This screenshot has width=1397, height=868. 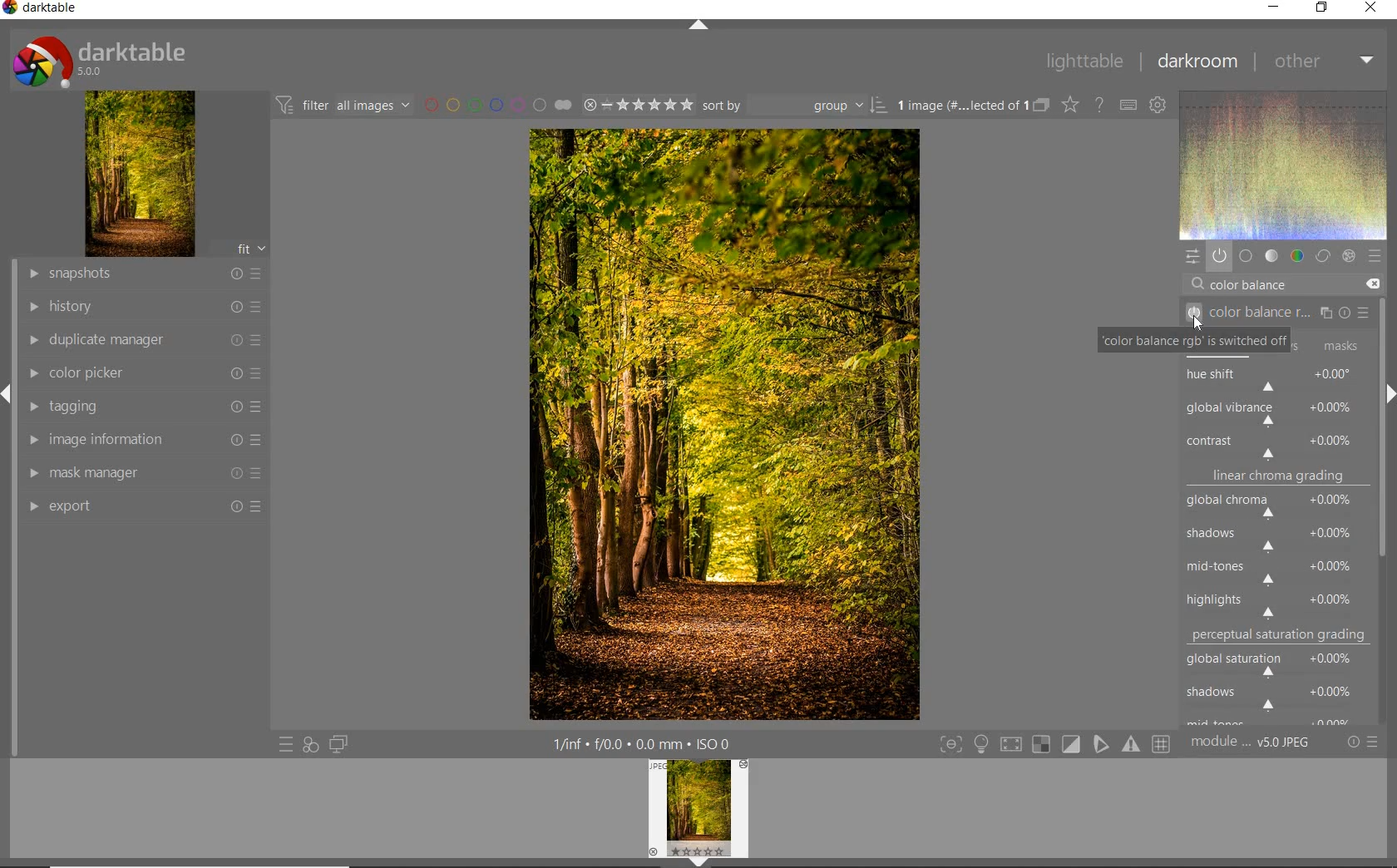 What do you see at coordinates (144, 374) in the screenshot?
I see `color picker` at bounding box center [144, 374].